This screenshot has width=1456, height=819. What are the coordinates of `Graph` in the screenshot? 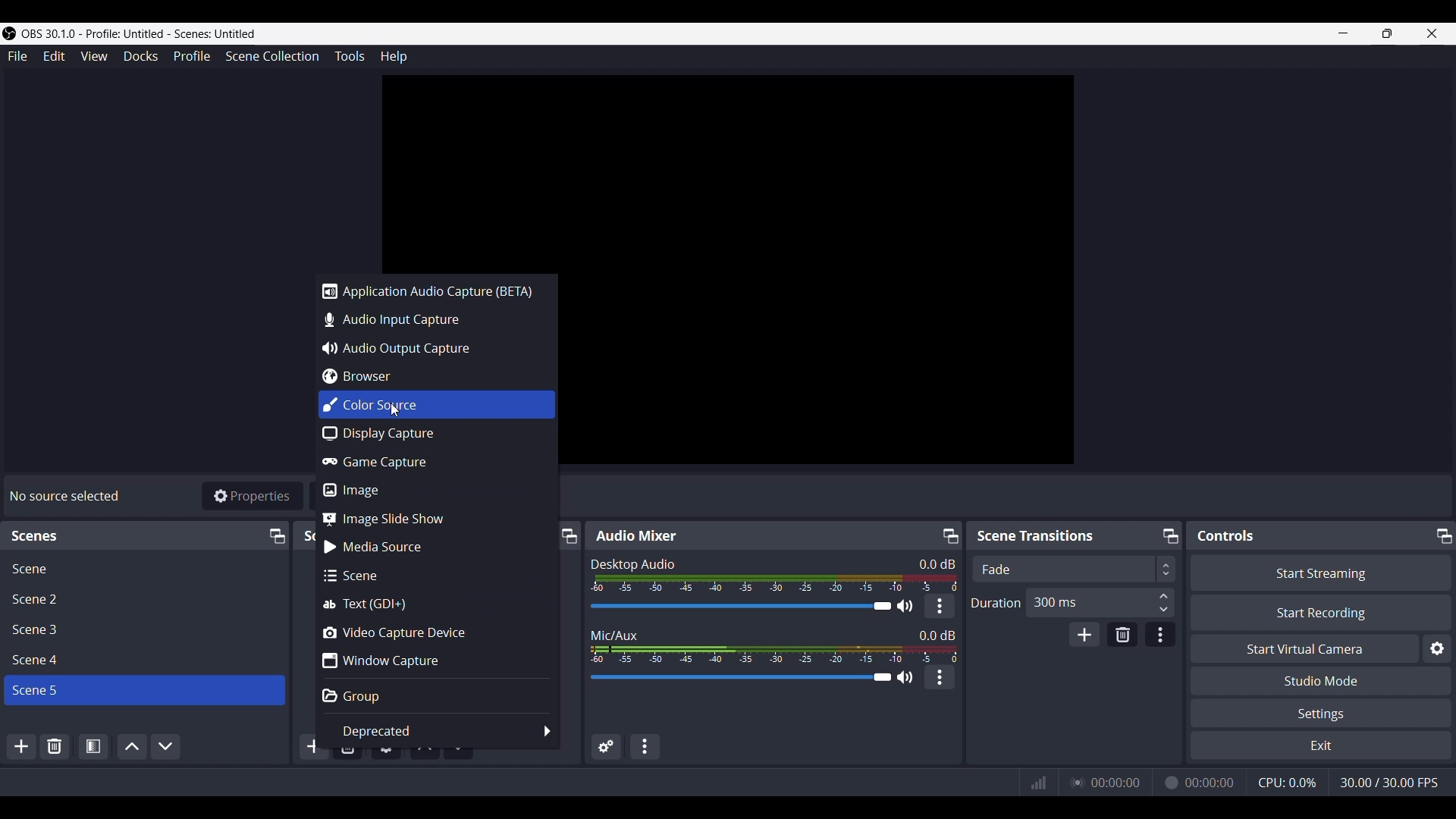 It's located at (1037, 782).